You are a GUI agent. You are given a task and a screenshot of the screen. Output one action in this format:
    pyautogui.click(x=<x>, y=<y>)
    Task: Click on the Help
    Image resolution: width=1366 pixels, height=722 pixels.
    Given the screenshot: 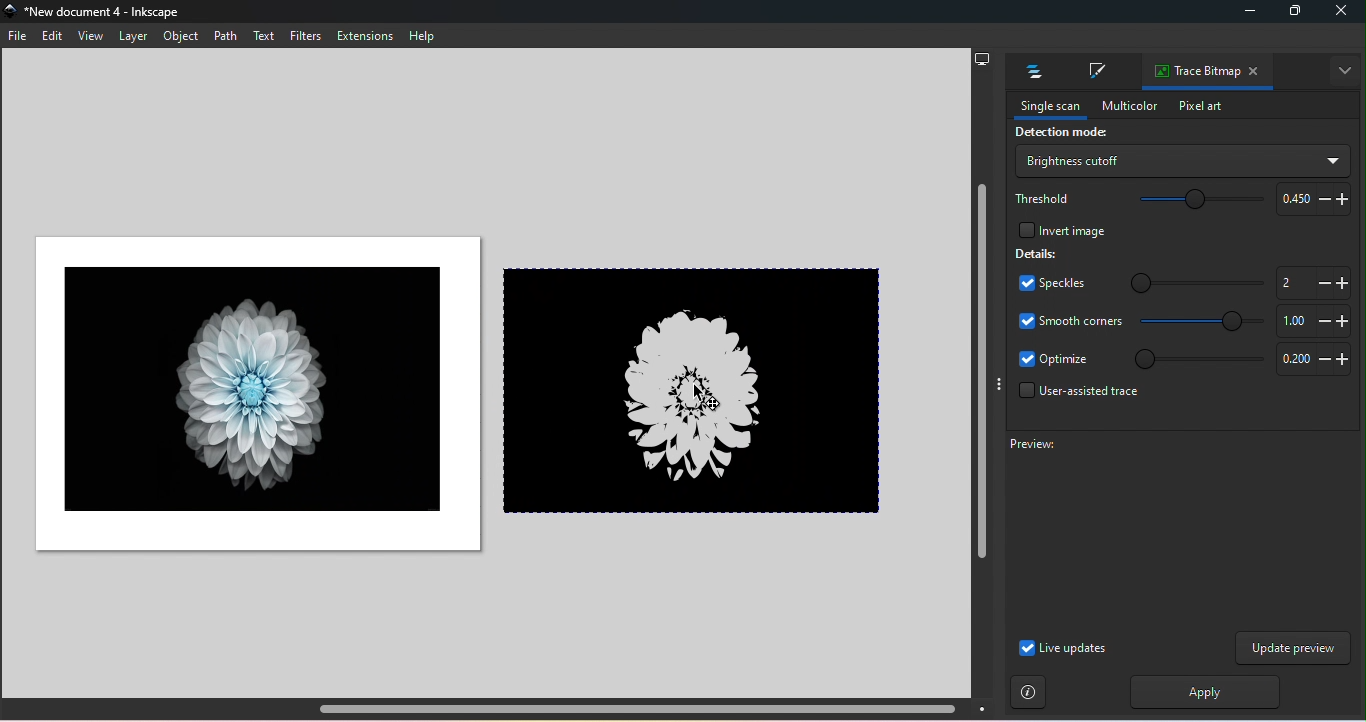 What is the action you would take?
    pyautogui.click(x=422, y=36)
    